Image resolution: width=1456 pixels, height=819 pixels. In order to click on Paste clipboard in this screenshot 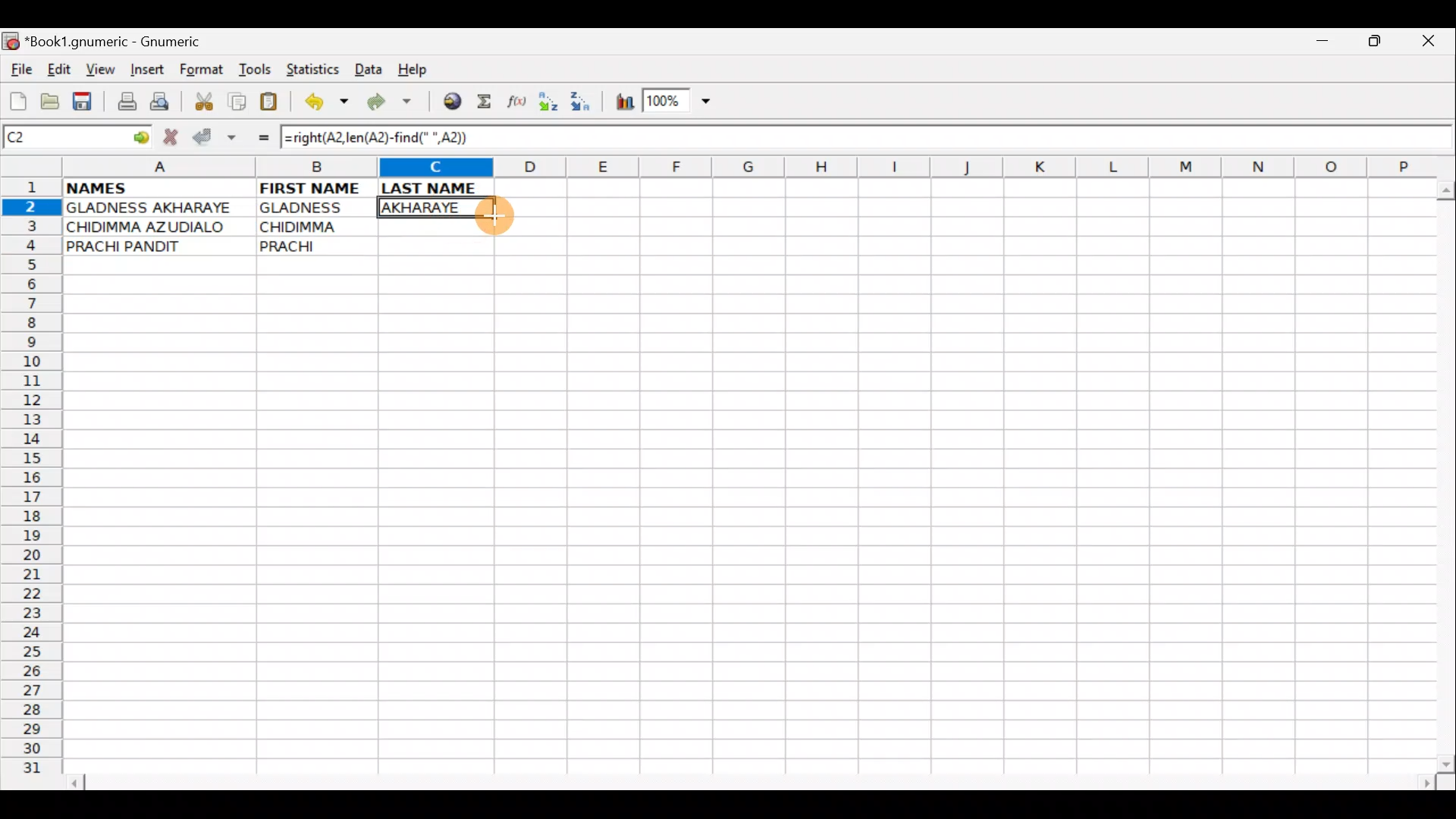, I will do `click(274, 104)`.